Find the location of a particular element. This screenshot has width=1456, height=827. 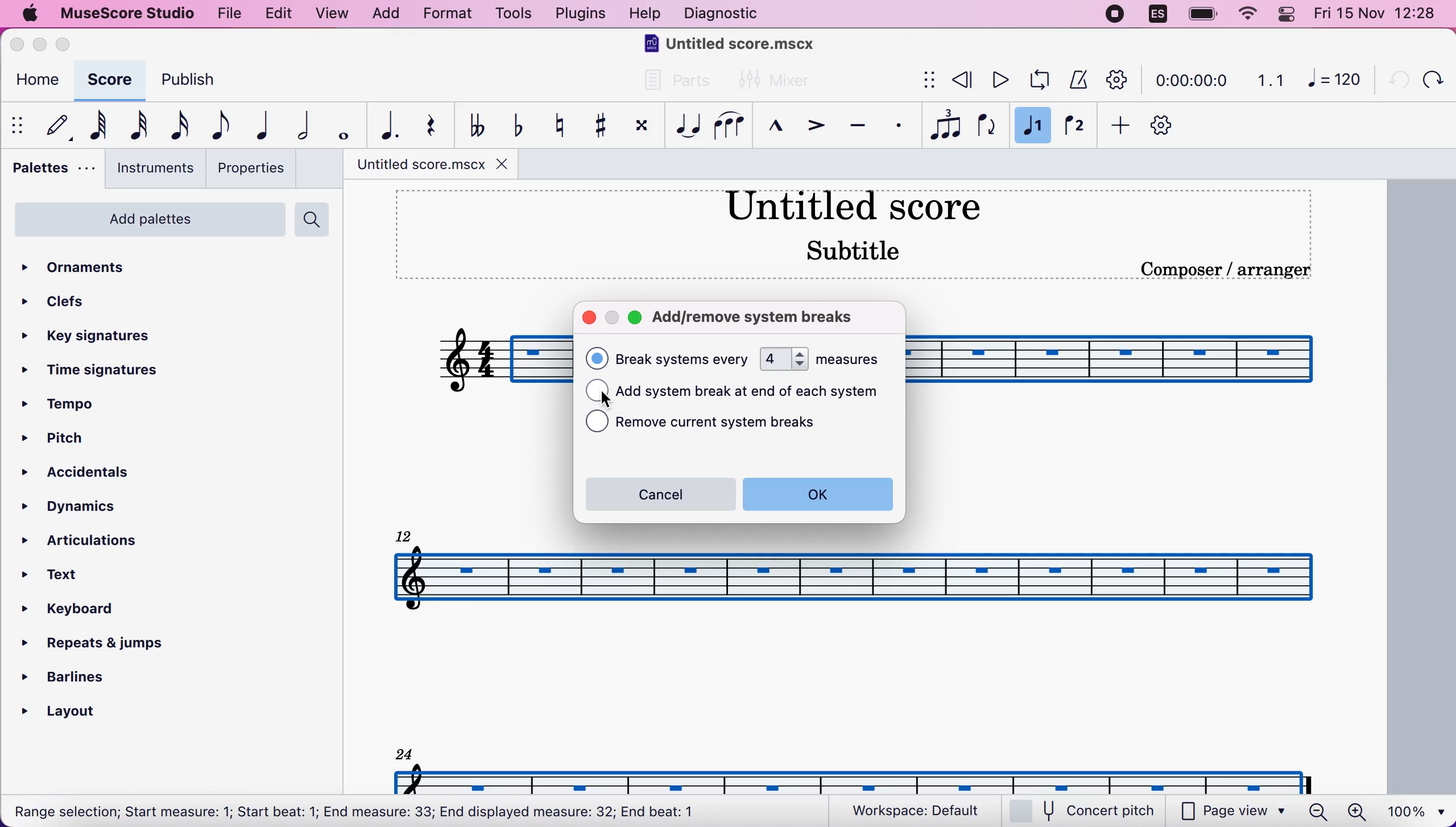

cursor is located at coordinates (603, 401).